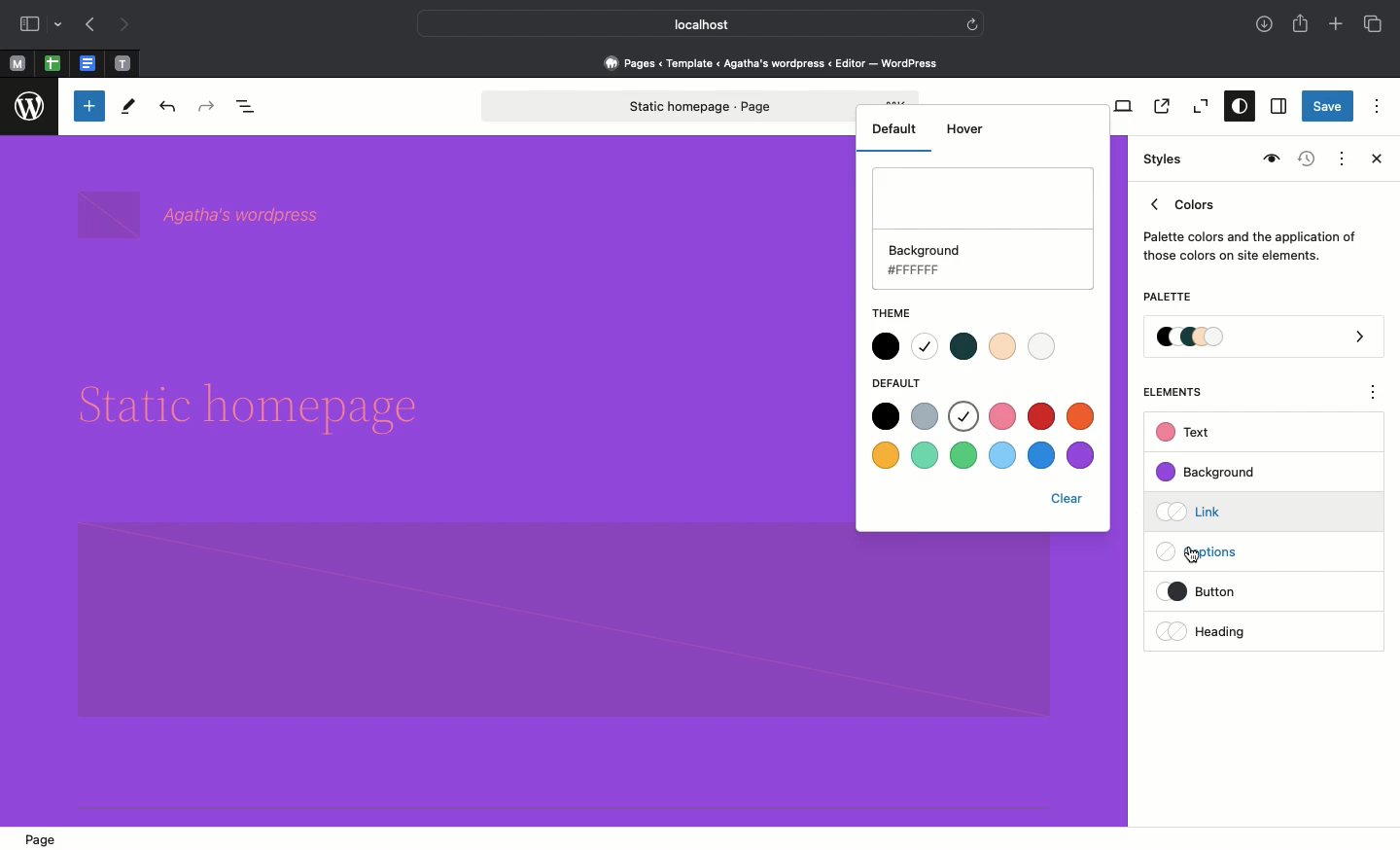  What do you see at coordinates (123, 64) in the screenshot?
I see `Pinned tab` at bounding box center [123, 64].